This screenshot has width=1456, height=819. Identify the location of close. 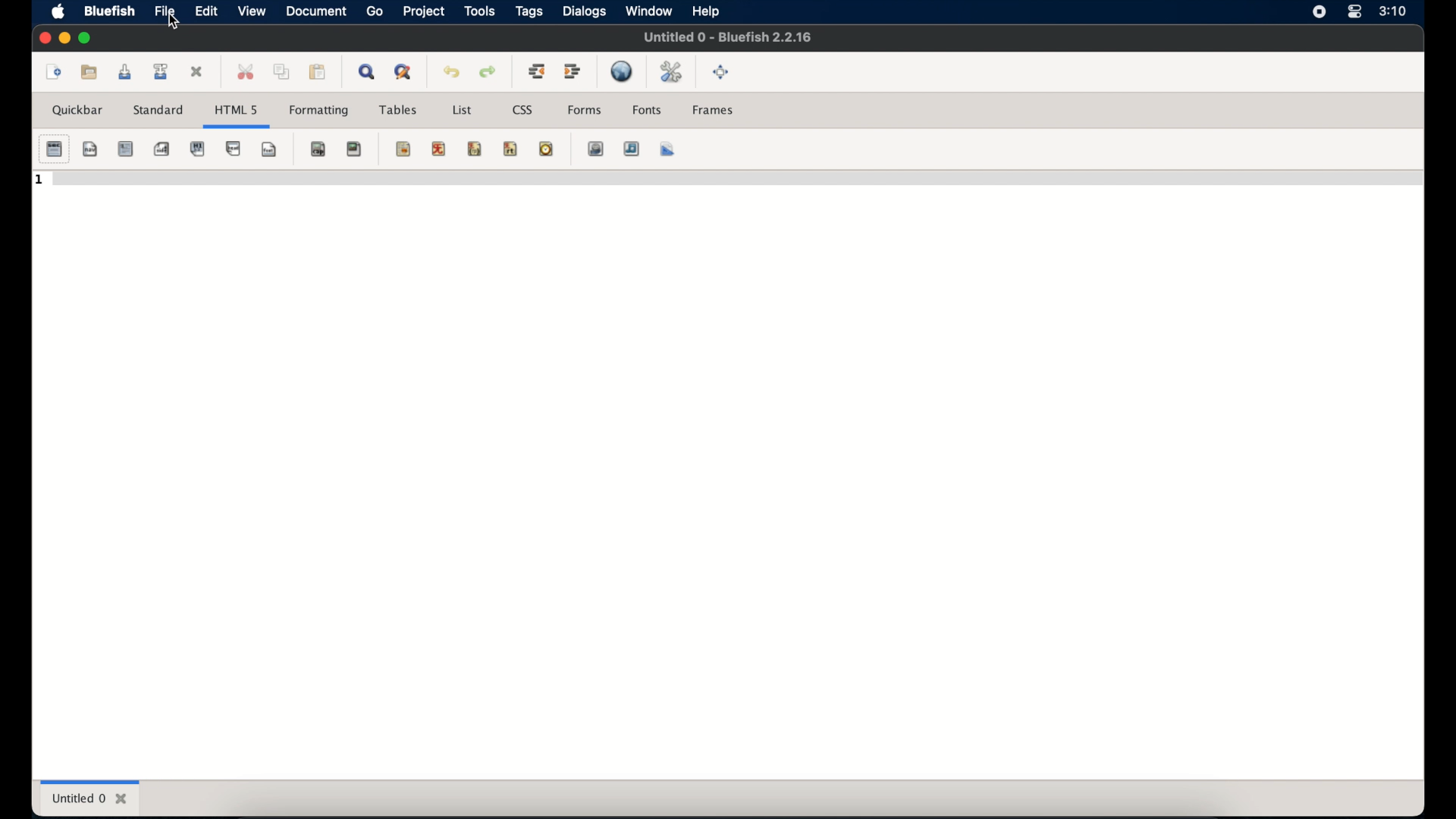
(43, 38).